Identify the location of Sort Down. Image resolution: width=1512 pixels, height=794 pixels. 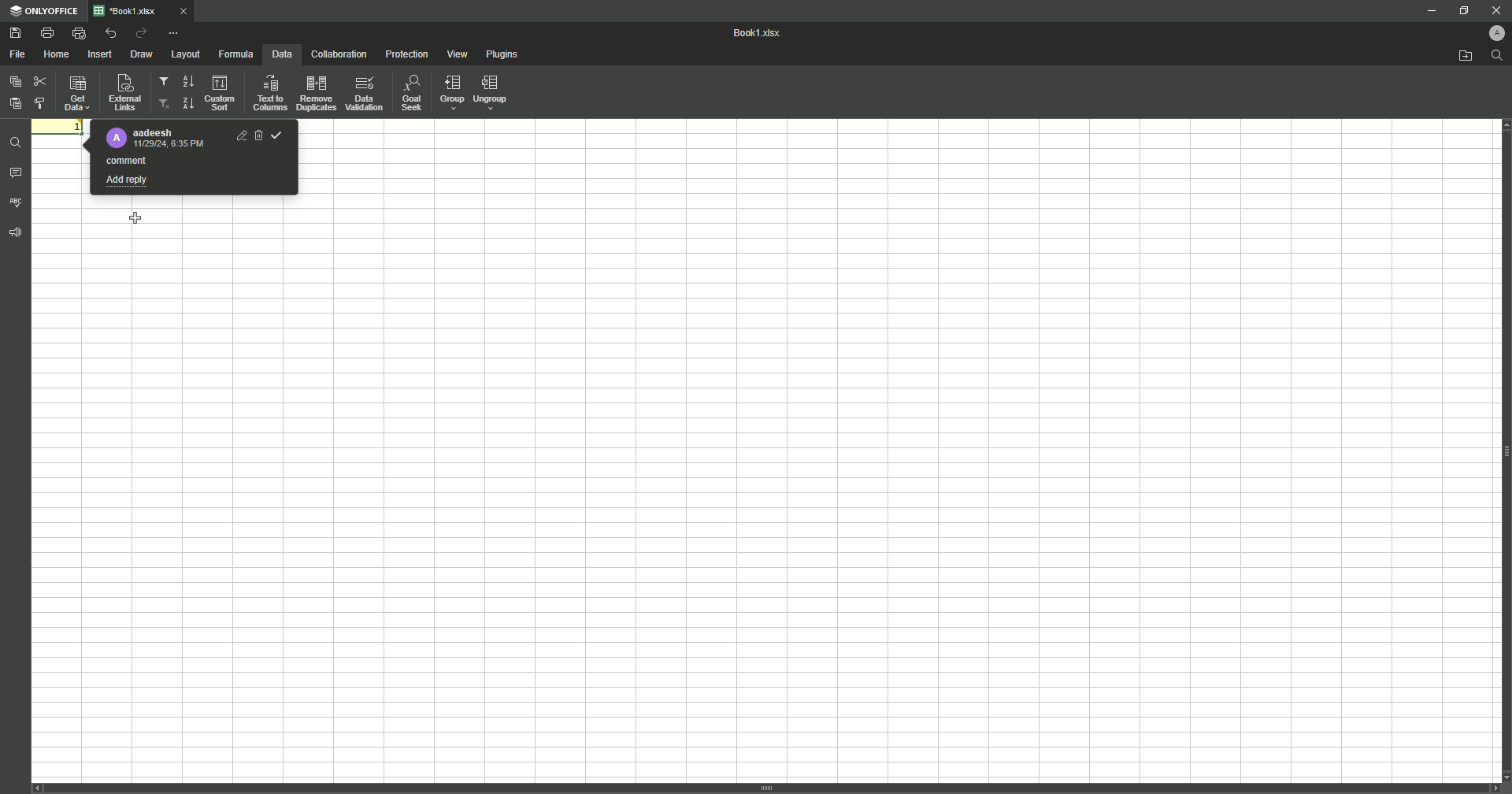
(188, 81).